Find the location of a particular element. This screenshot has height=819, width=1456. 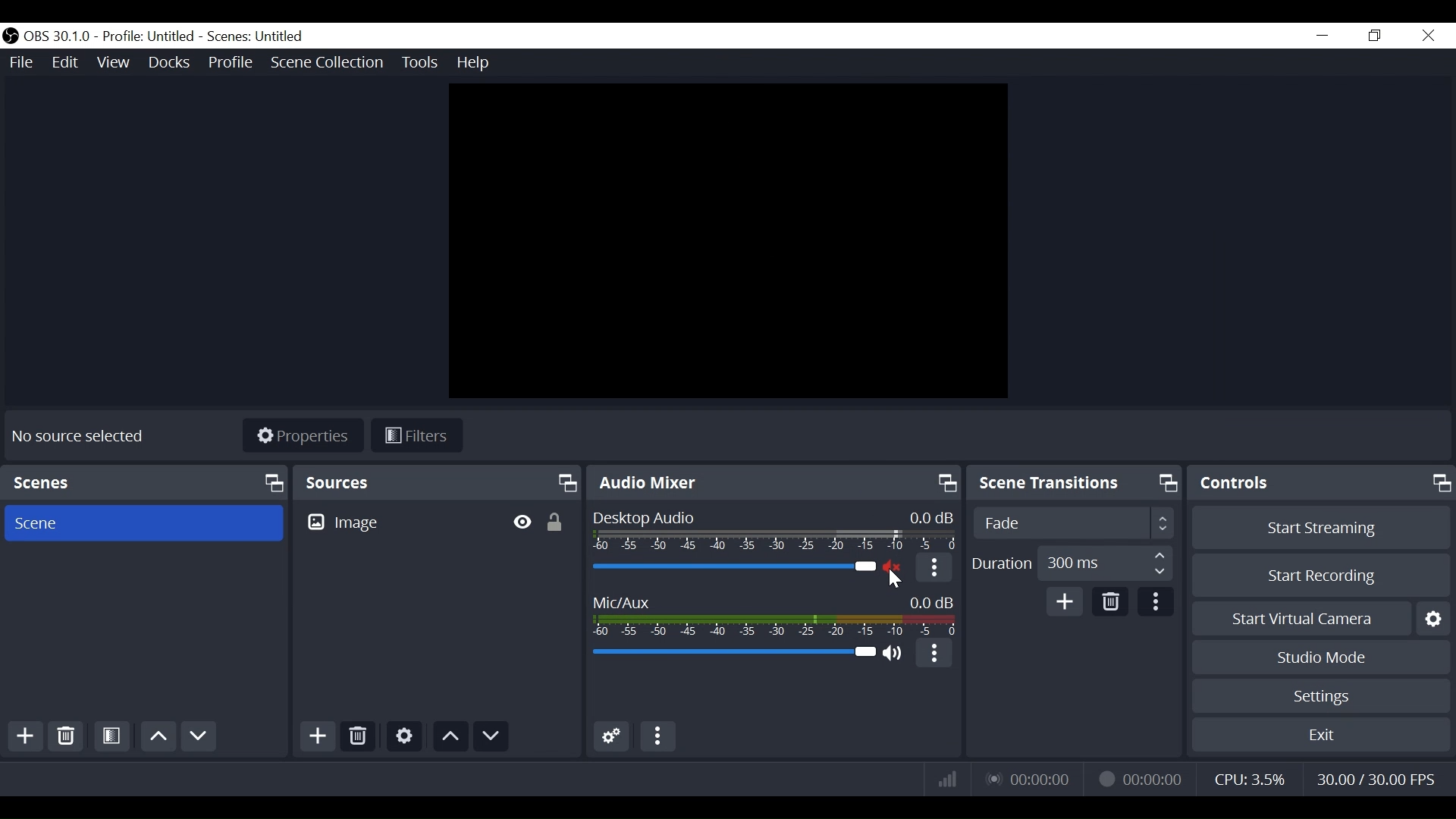

Docks is located at coordinates (171, 64).